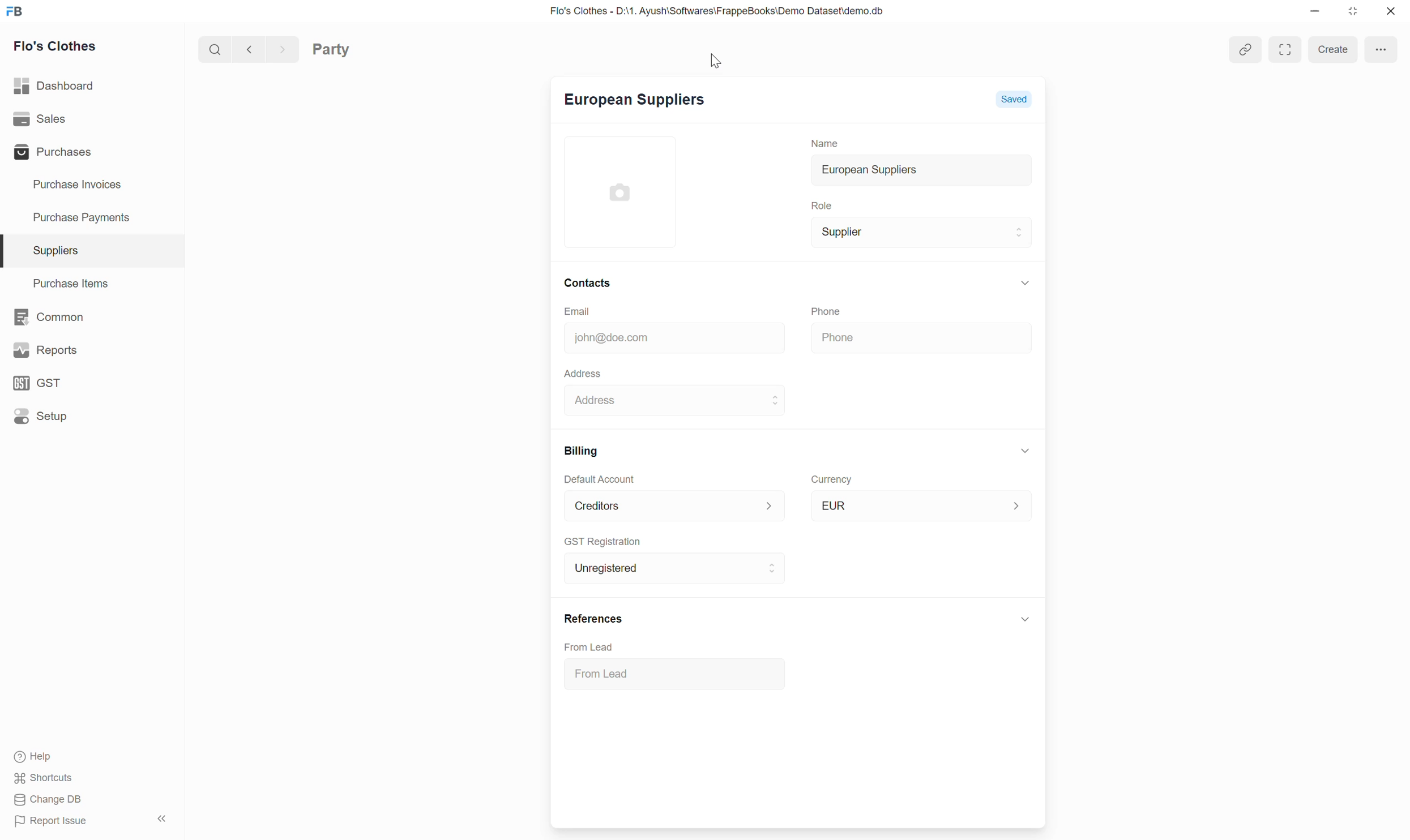 This screenshot has width=1410, height=840. Describe the element at coordinates (601, 309) in the screenshot. I see `Email` at that location.